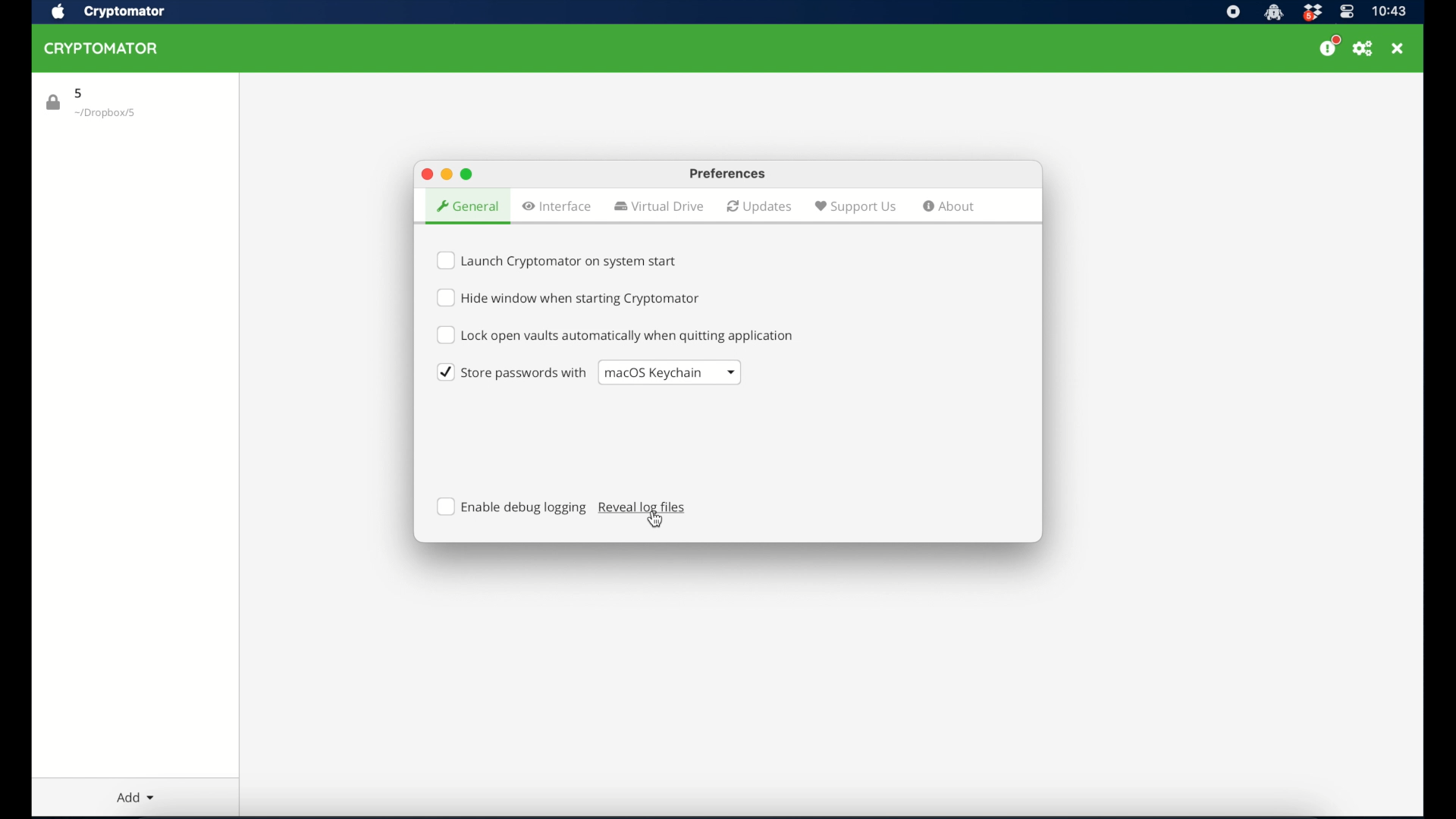 This screenshot has height=819, width=1456. Describe the element at coordinates (728, 174) in the screenshot. I see `preferences` at that location.